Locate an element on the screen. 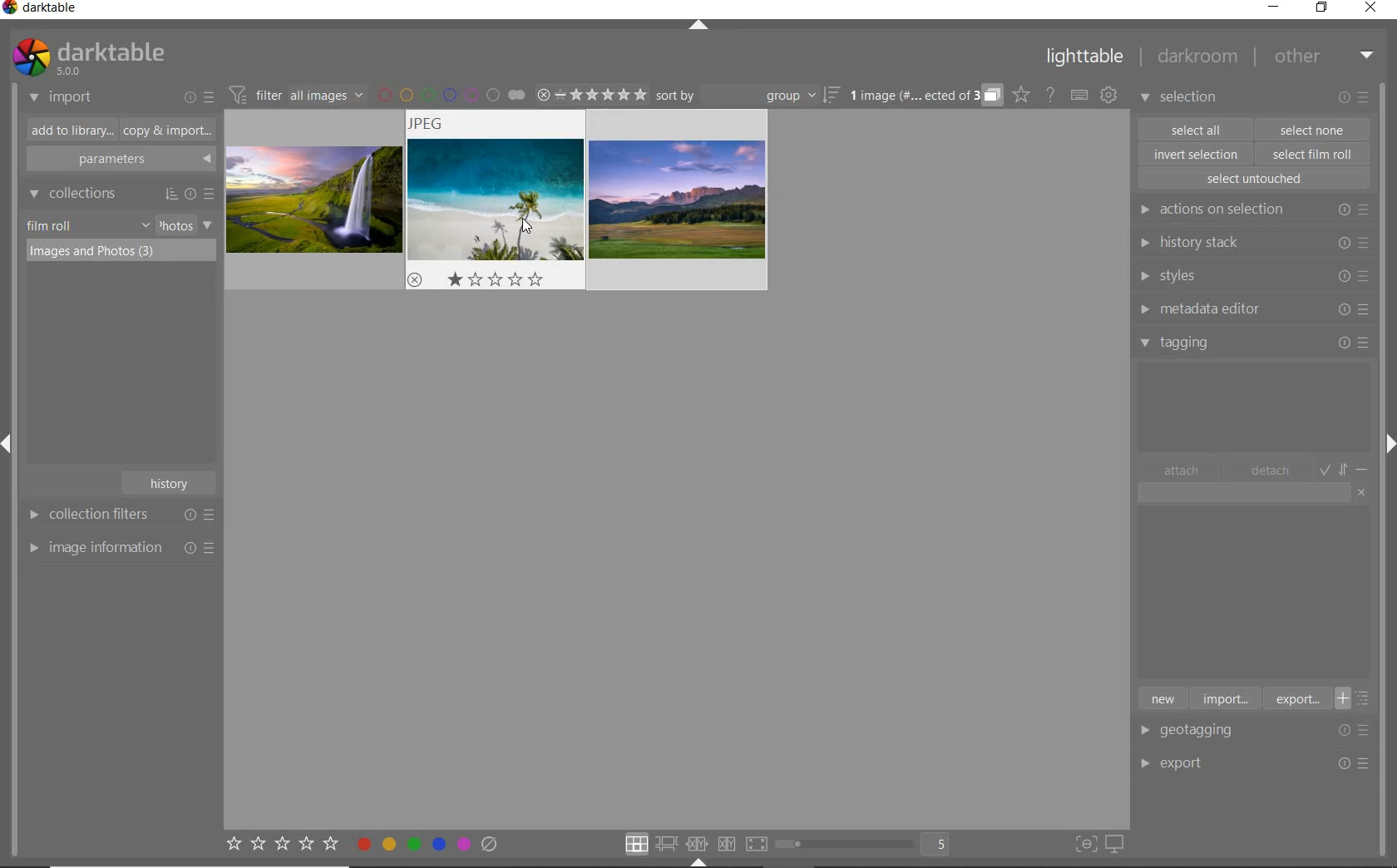 Image resolution: width=1397 pixels, height=868 pixels. click option to select layout is located at coordinates (693, 844).